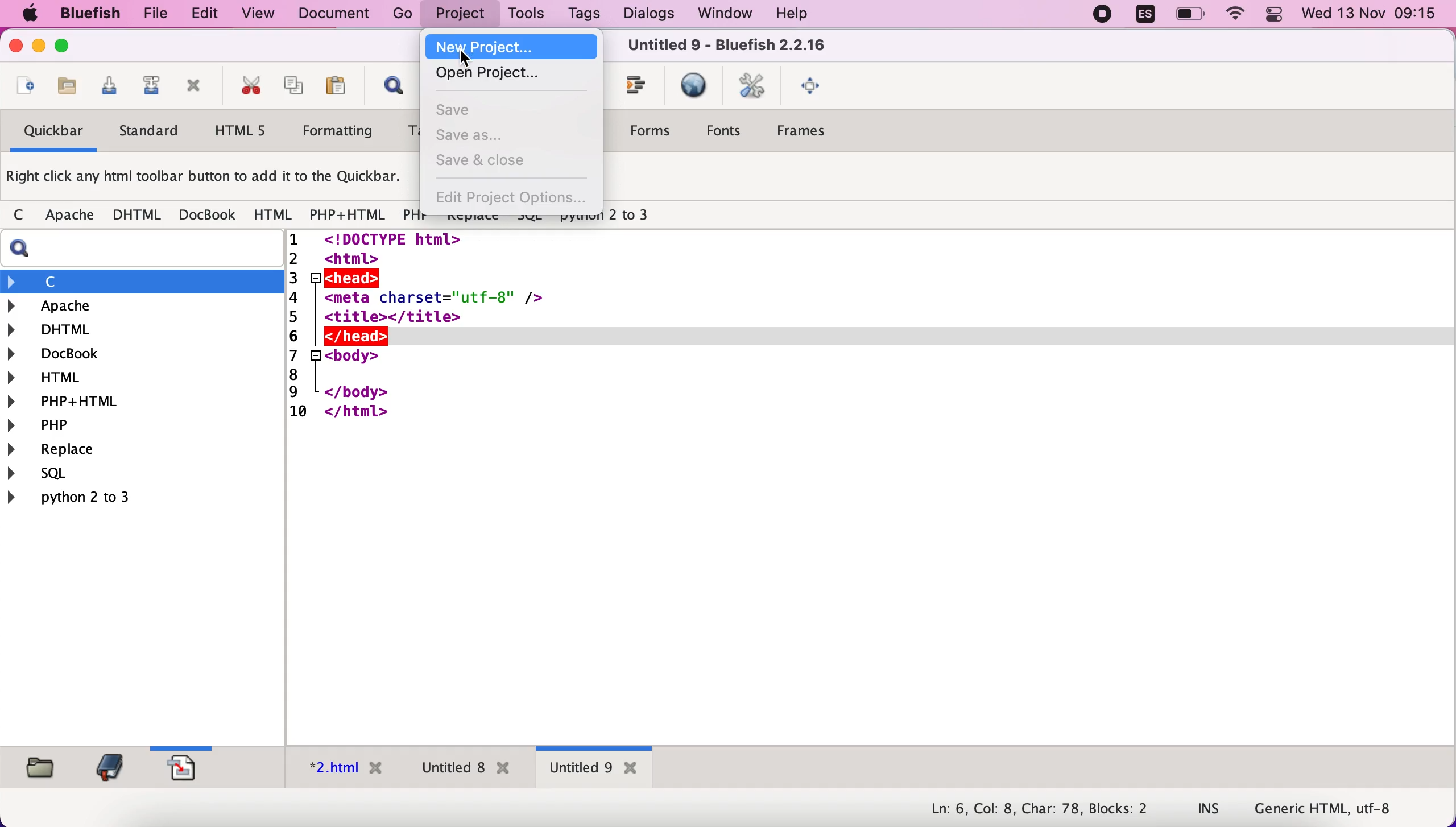  I want to click on standard, so click(150, 134).